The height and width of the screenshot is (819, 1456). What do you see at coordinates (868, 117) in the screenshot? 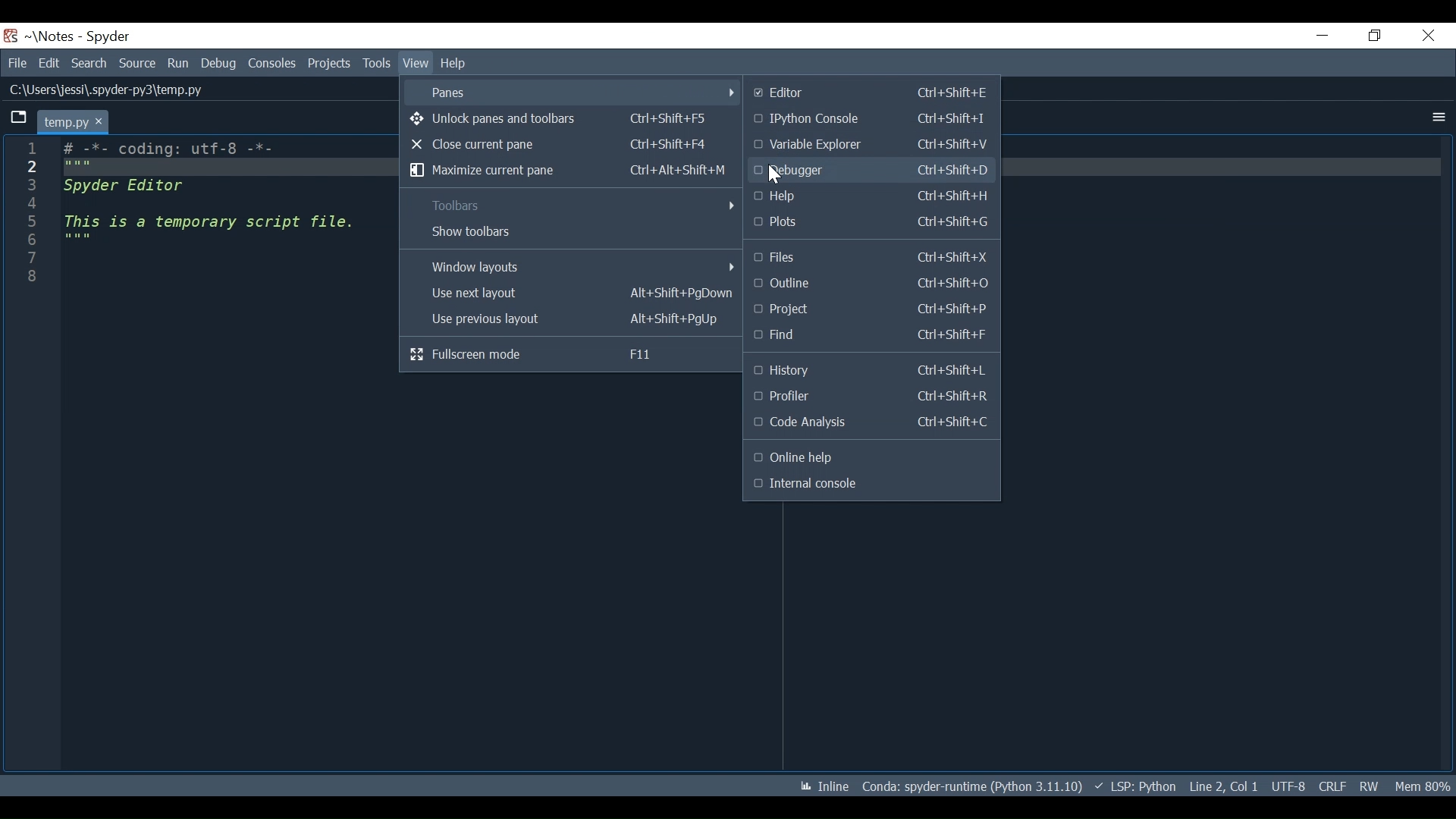
I see `IPython Console` at bounding box center [868, 117].